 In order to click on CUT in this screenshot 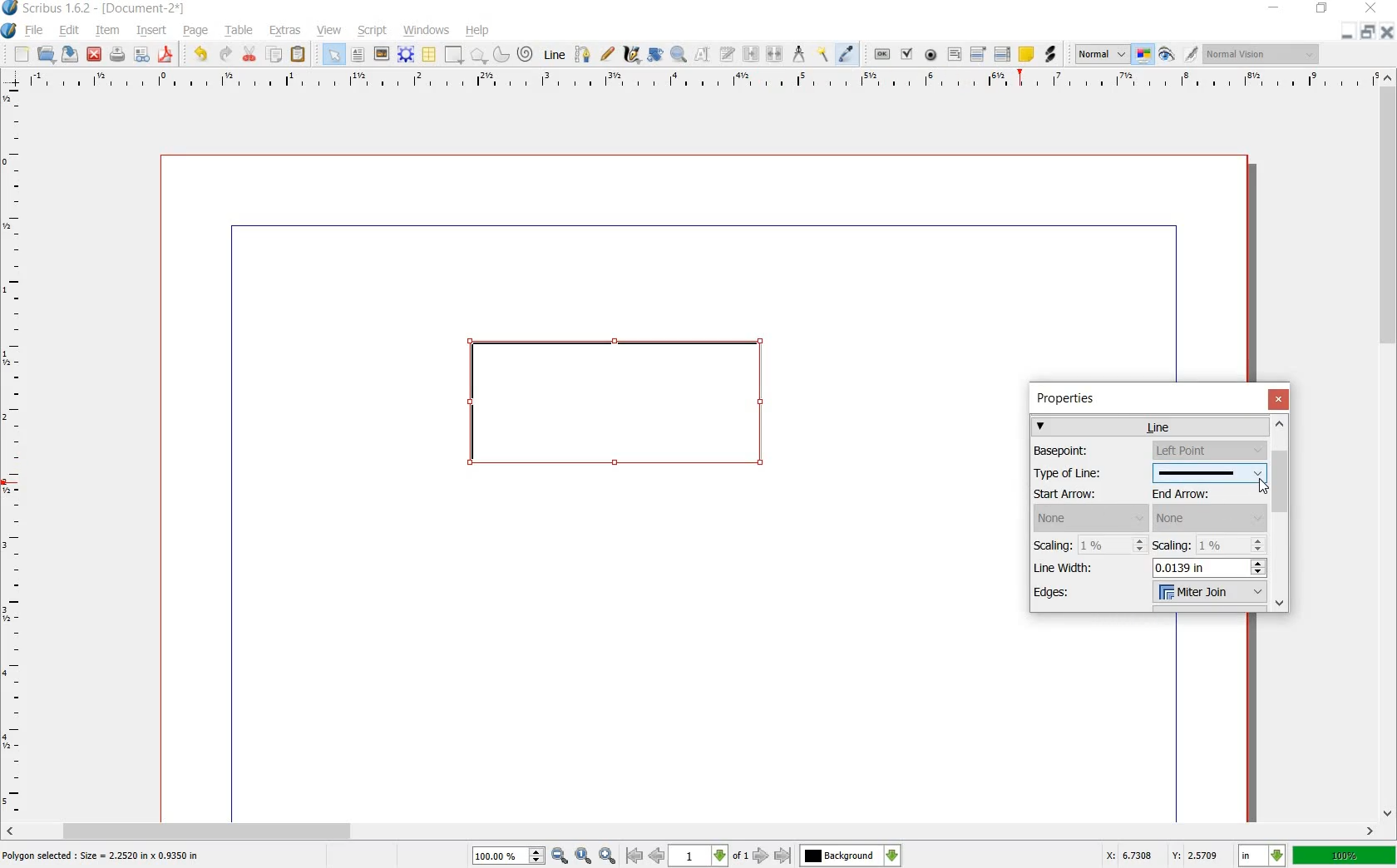, I will do `click(250, 54)`.